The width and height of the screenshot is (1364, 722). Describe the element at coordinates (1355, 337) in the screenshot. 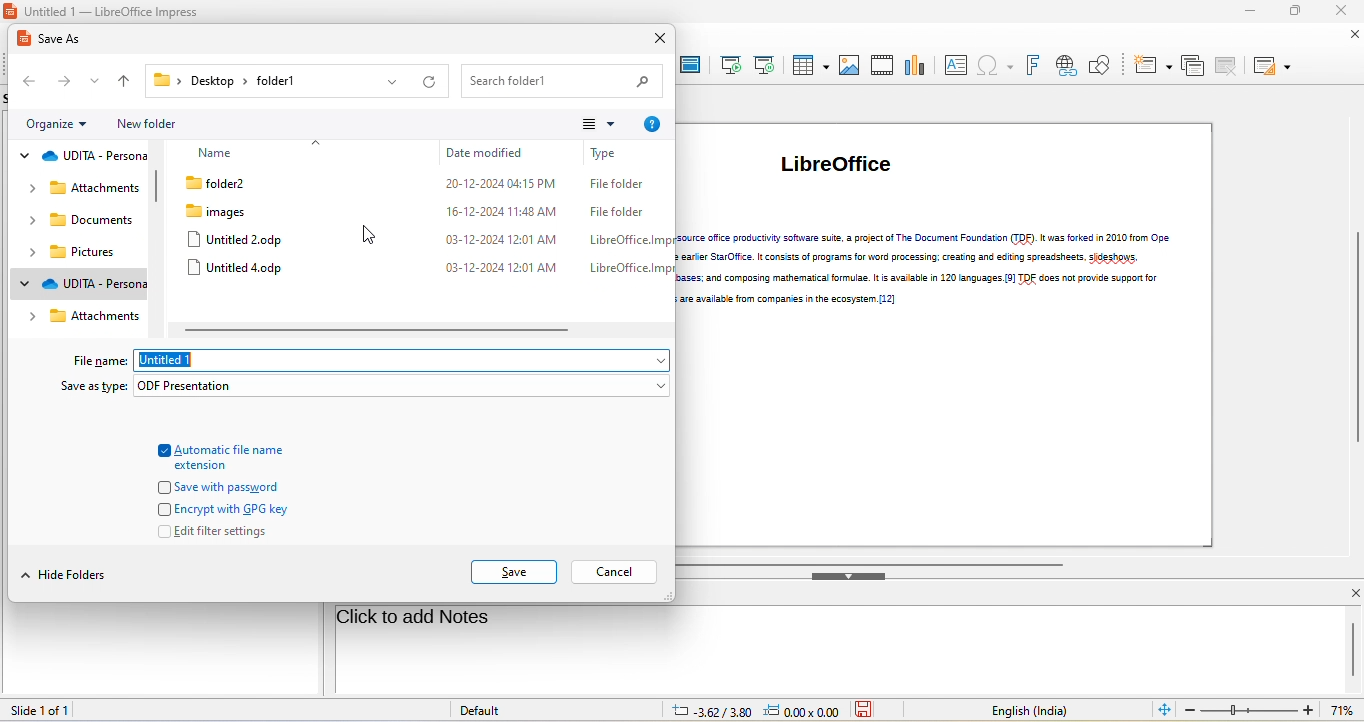

I see `vertical scroll bar` at that location.